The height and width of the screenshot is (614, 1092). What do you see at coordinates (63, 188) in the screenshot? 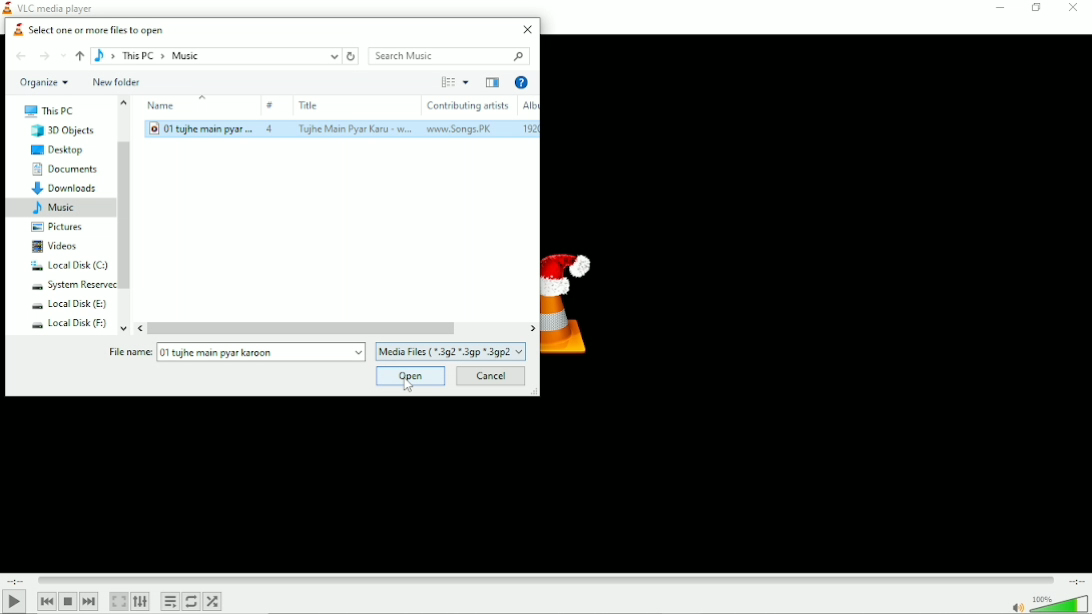
I see `Downloads` at bounding box center [63, 188].